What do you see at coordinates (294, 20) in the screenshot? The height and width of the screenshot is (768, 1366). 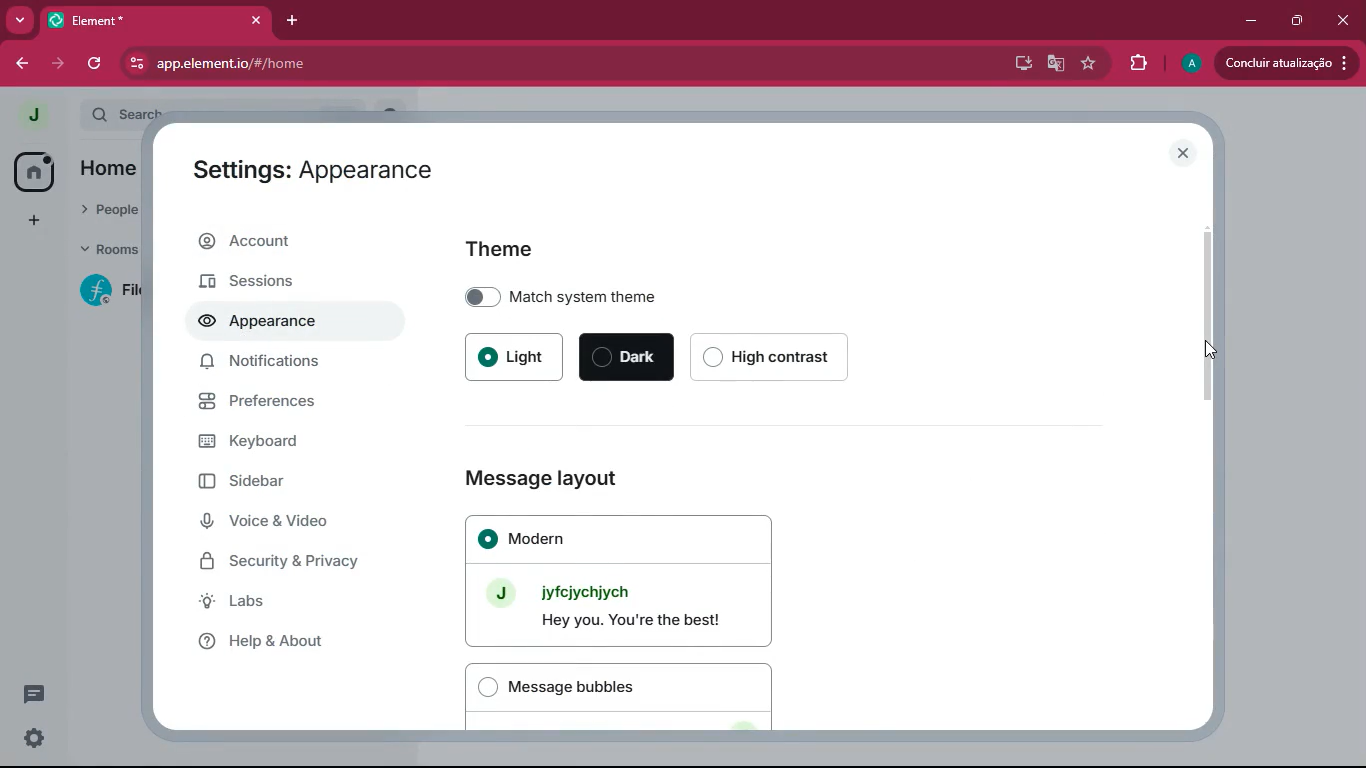 I see `add tab` at bounding box center [294, 20].